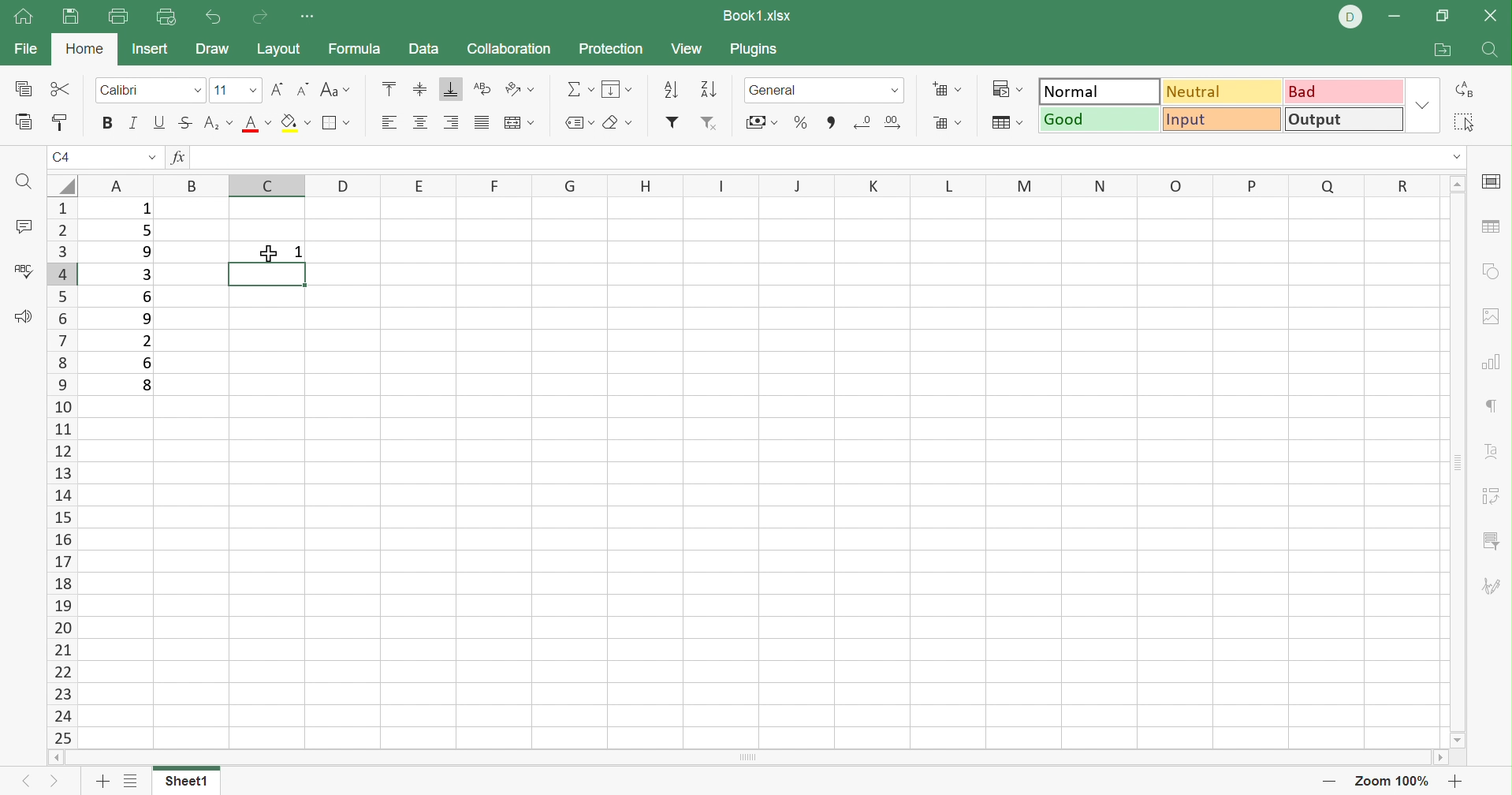 The height and width of the screenshot is (795, 1512). Describe the element at coordinates (27, 784) in the screenshot. I see `Previous` at that location.